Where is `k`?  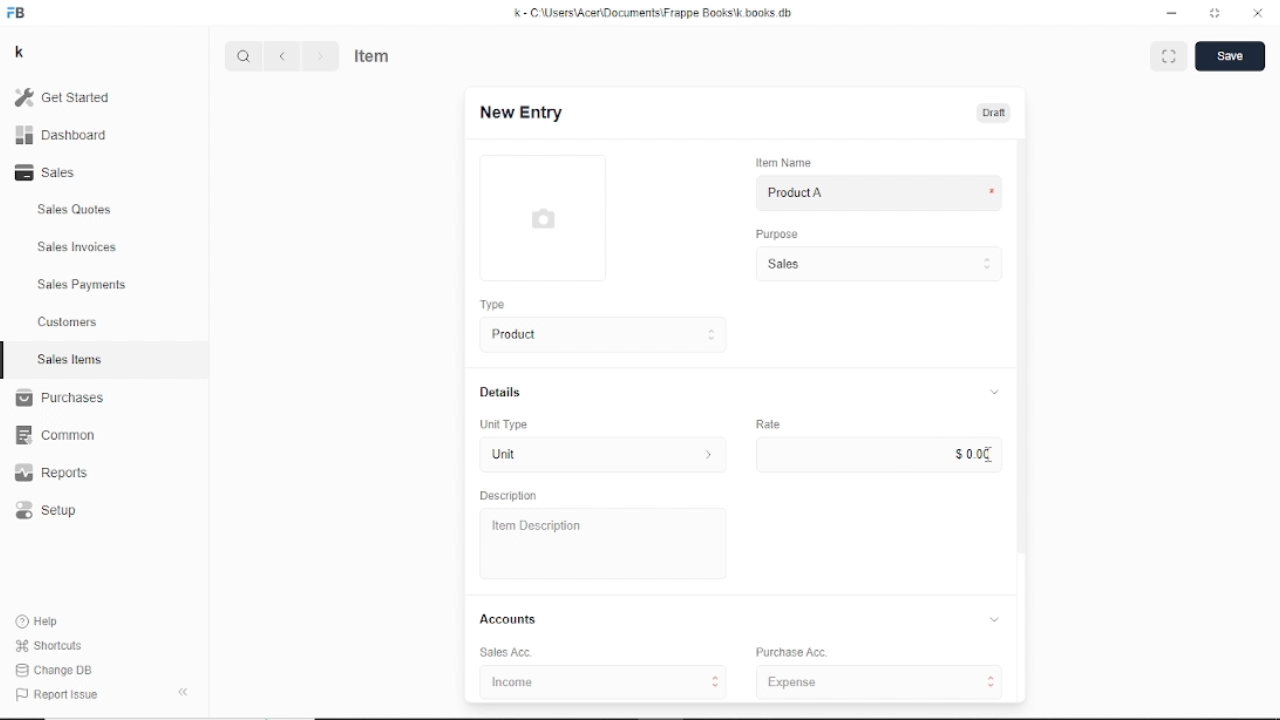
k is located at coordinates (22, 53).